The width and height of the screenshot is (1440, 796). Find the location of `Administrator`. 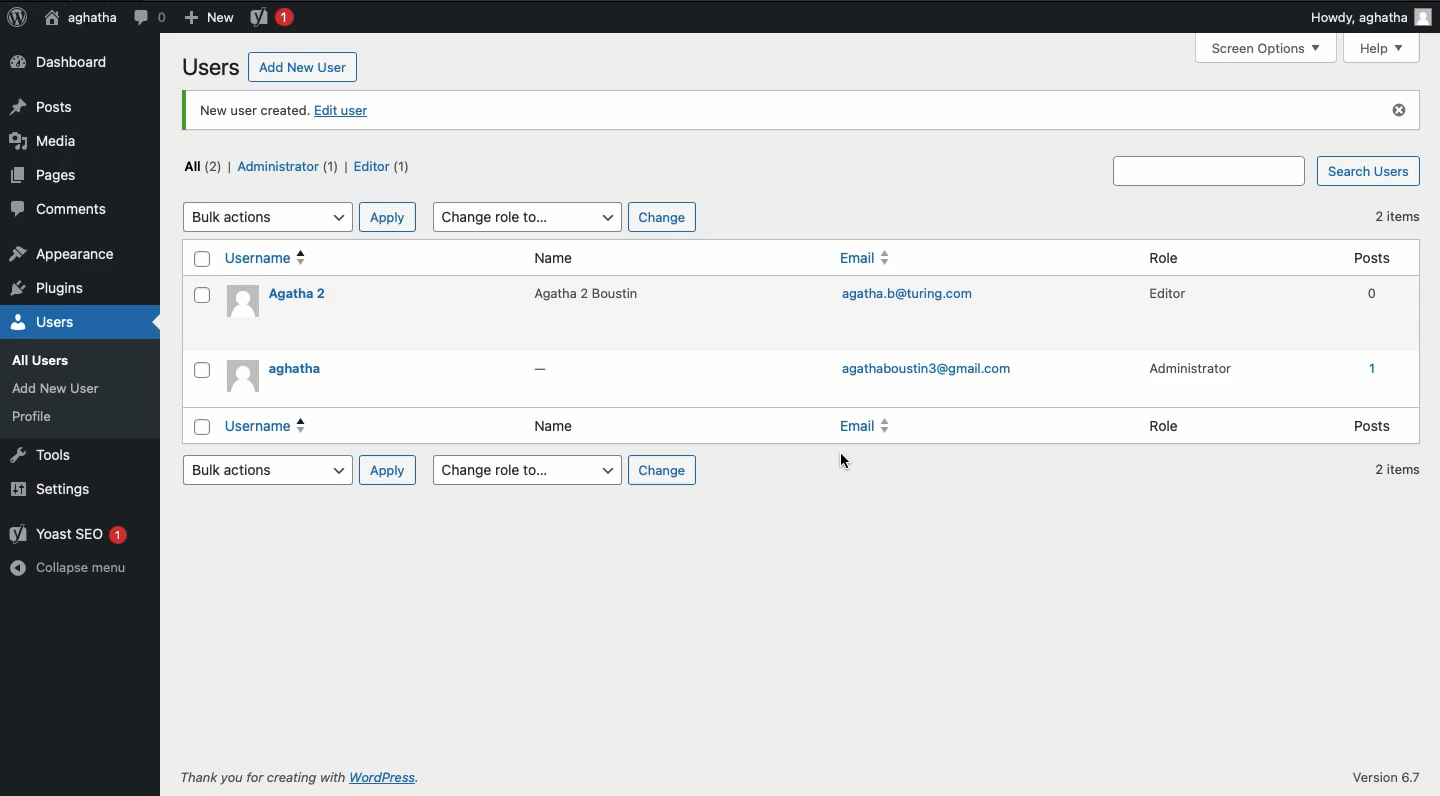

Administrator is located at coordinates (1191, 371).